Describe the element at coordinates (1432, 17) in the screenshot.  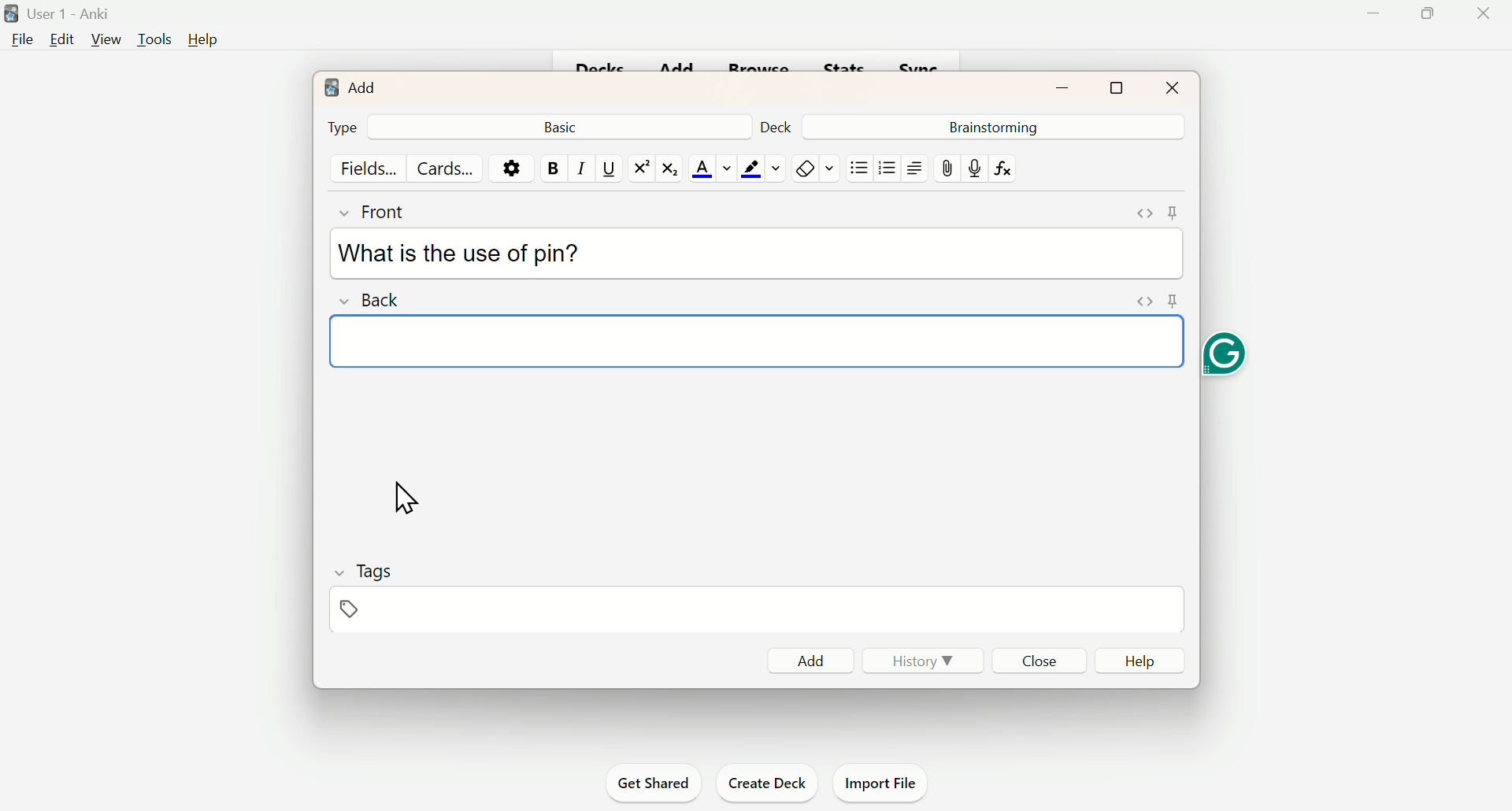
I see ` Maimize` at that location.